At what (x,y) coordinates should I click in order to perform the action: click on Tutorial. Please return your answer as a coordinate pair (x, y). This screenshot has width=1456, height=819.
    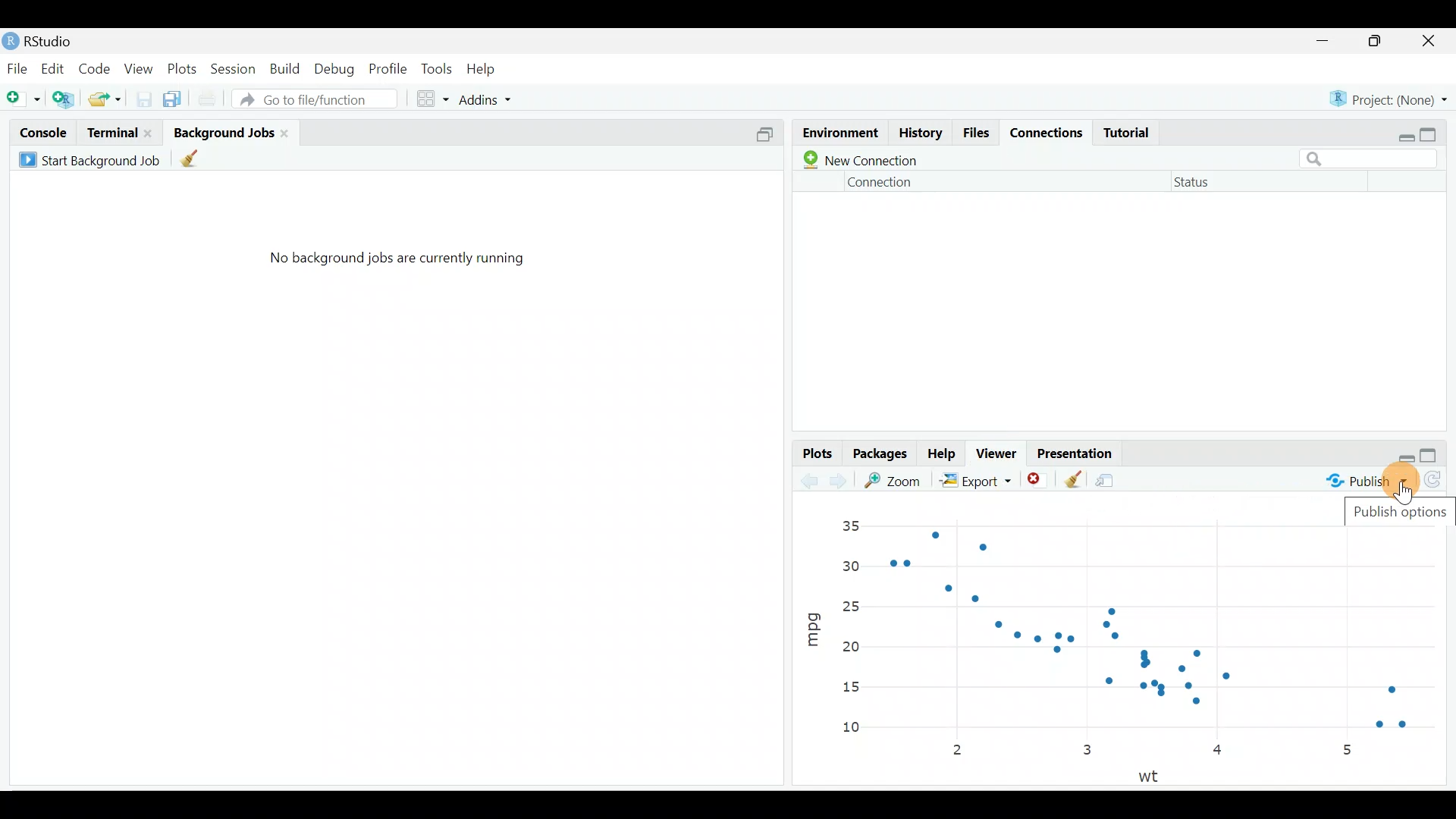
    Looking at the image, I should click on (1132, 132).